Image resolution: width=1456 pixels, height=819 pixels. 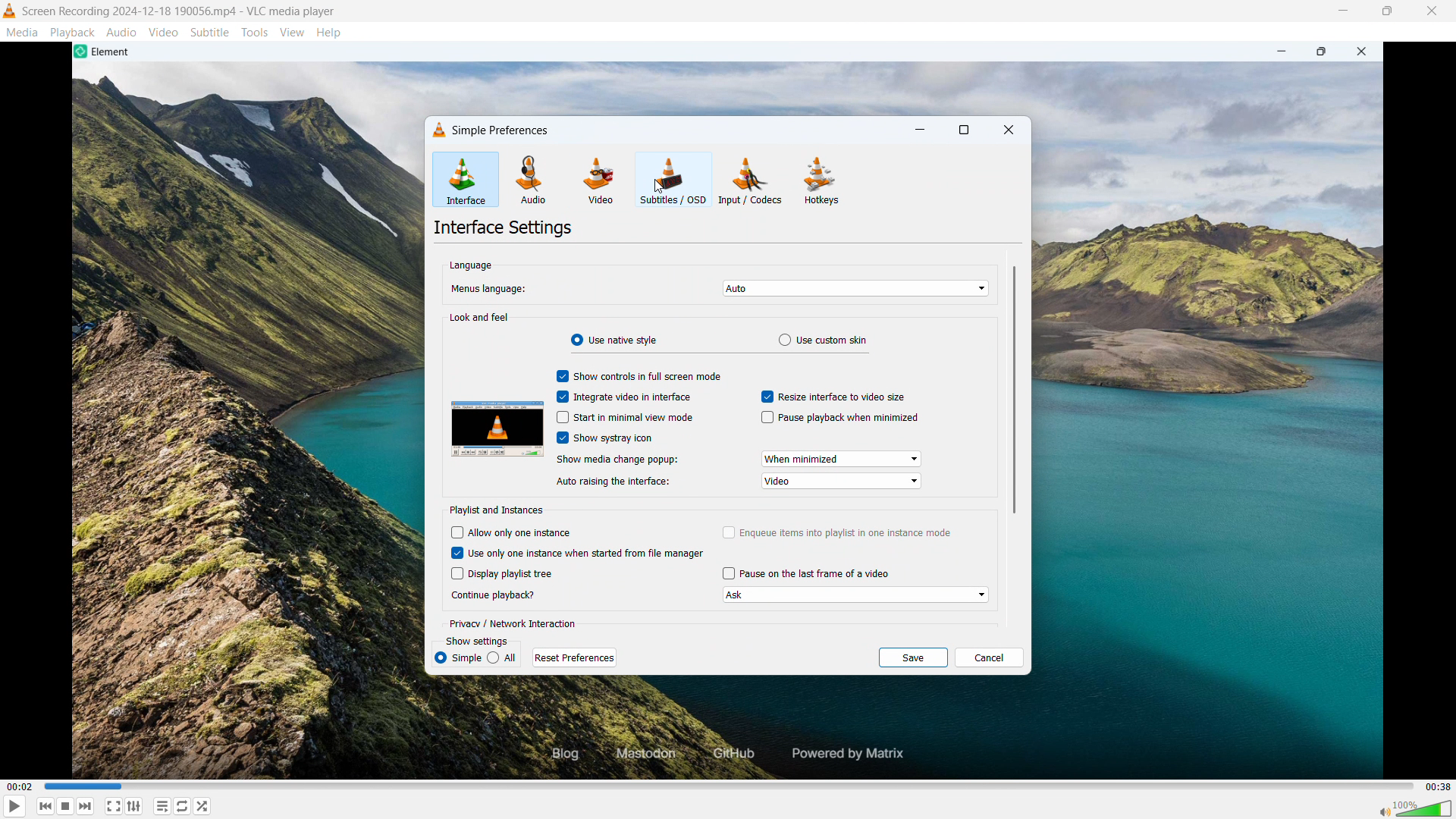 I want to click on Video duration , so click(x=1438, y=787).